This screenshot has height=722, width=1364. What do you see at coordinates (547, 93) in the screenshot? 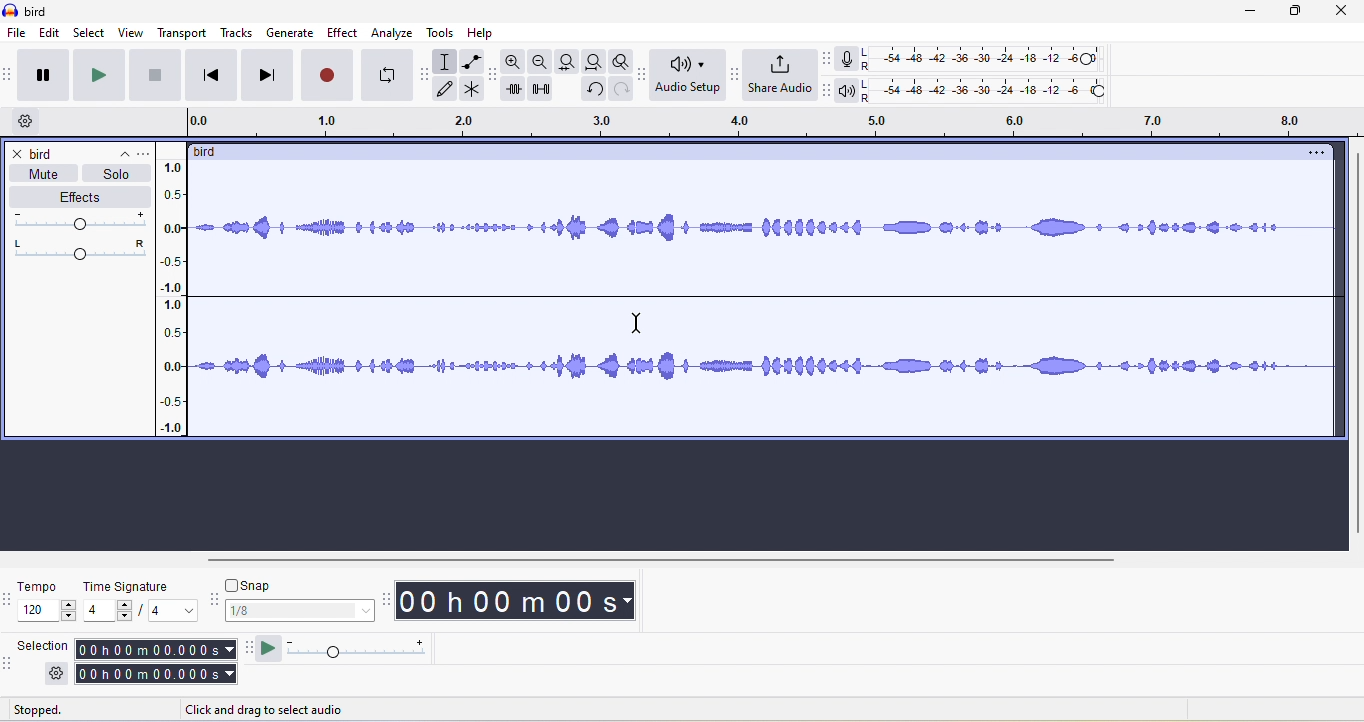
I see `silence audio selection` at bounding box center [547, 93].